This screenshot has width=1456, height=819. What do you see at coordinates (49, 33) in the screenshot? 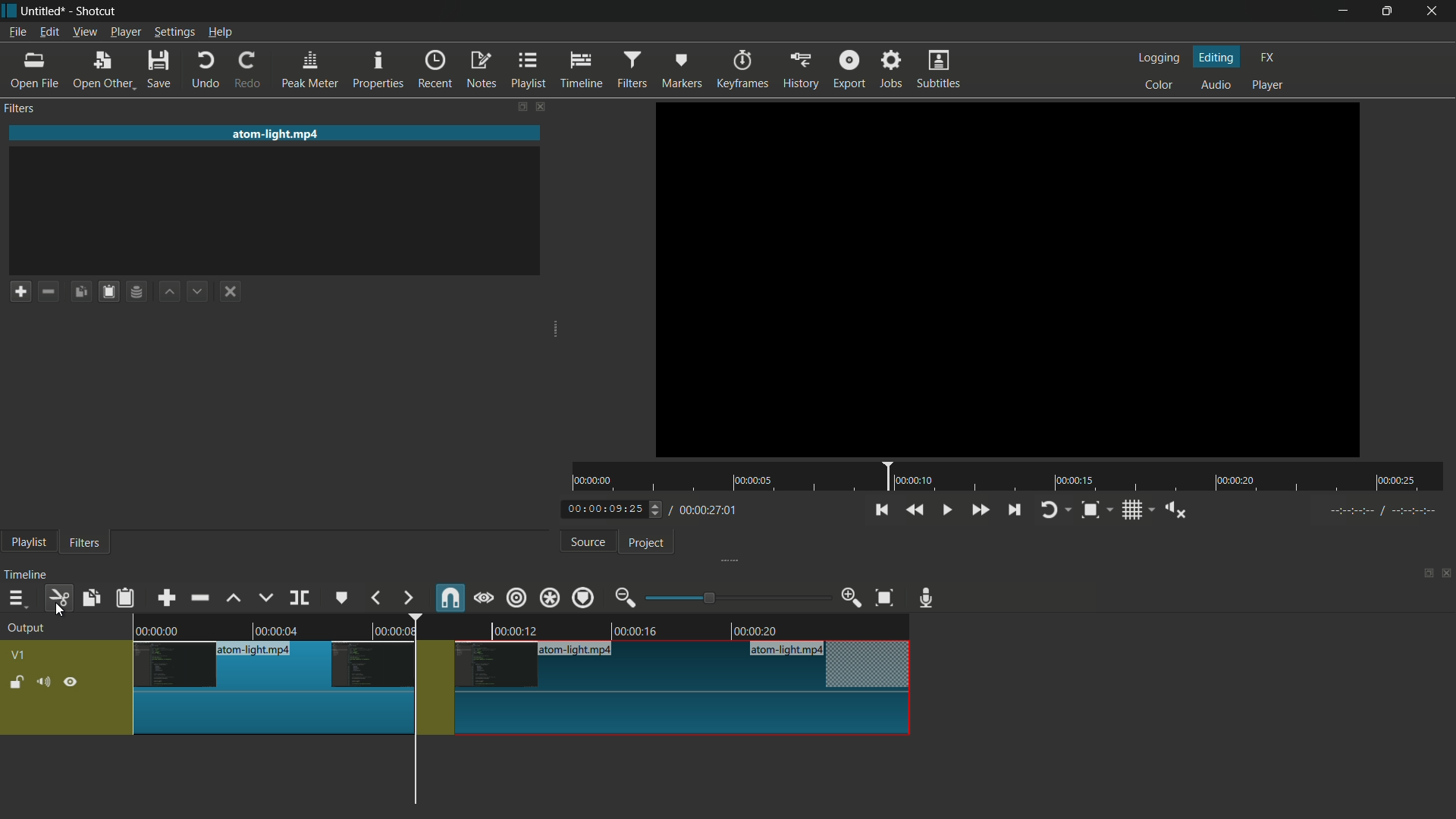
I see `edit menu` at bounding box center [49, 33].